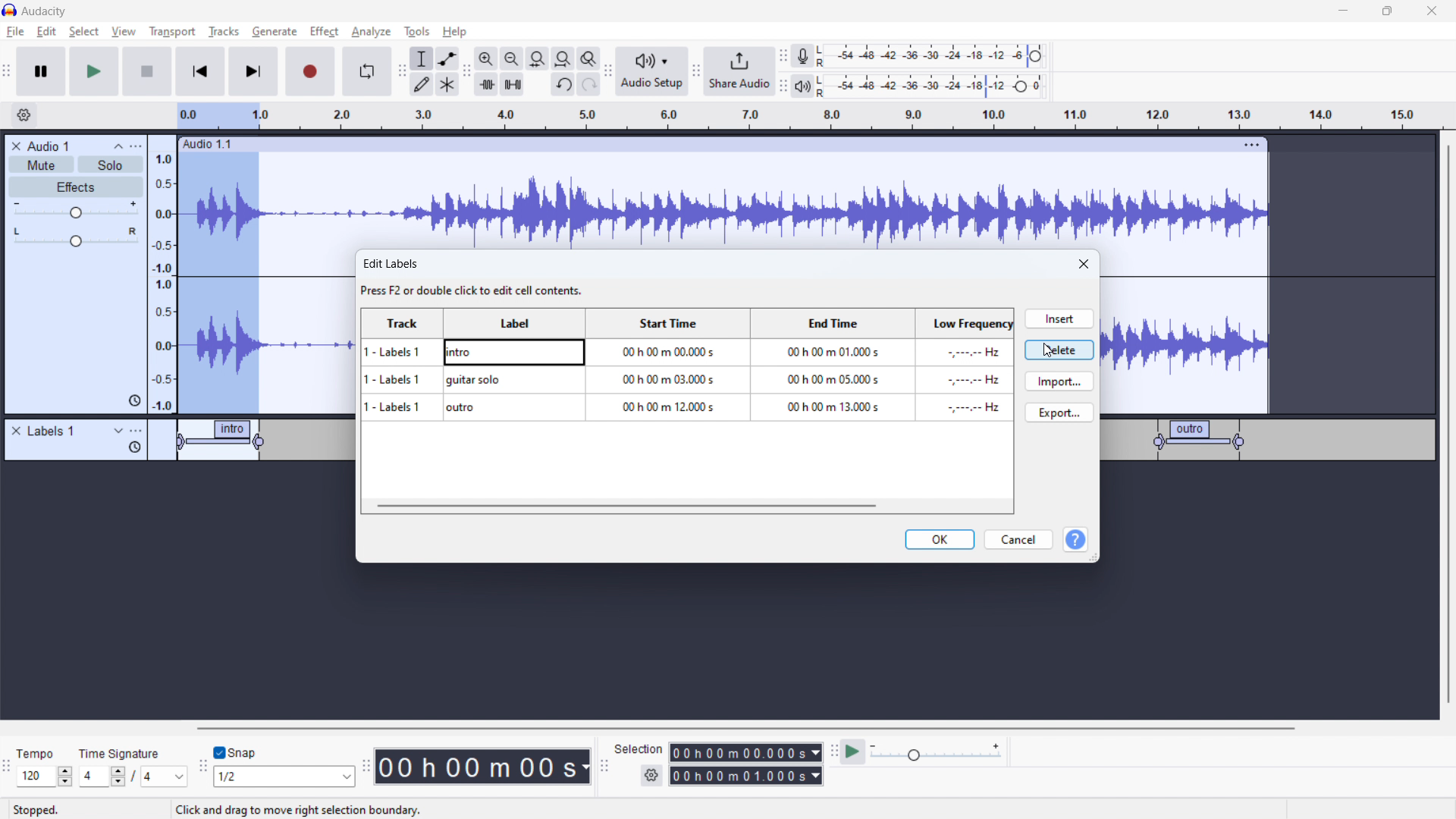 This screenshot has height=819, width=1456. What do you see at coordinates (284, 776) in the screenshot?
I see `select snapping` at bounding box center [284, 776].